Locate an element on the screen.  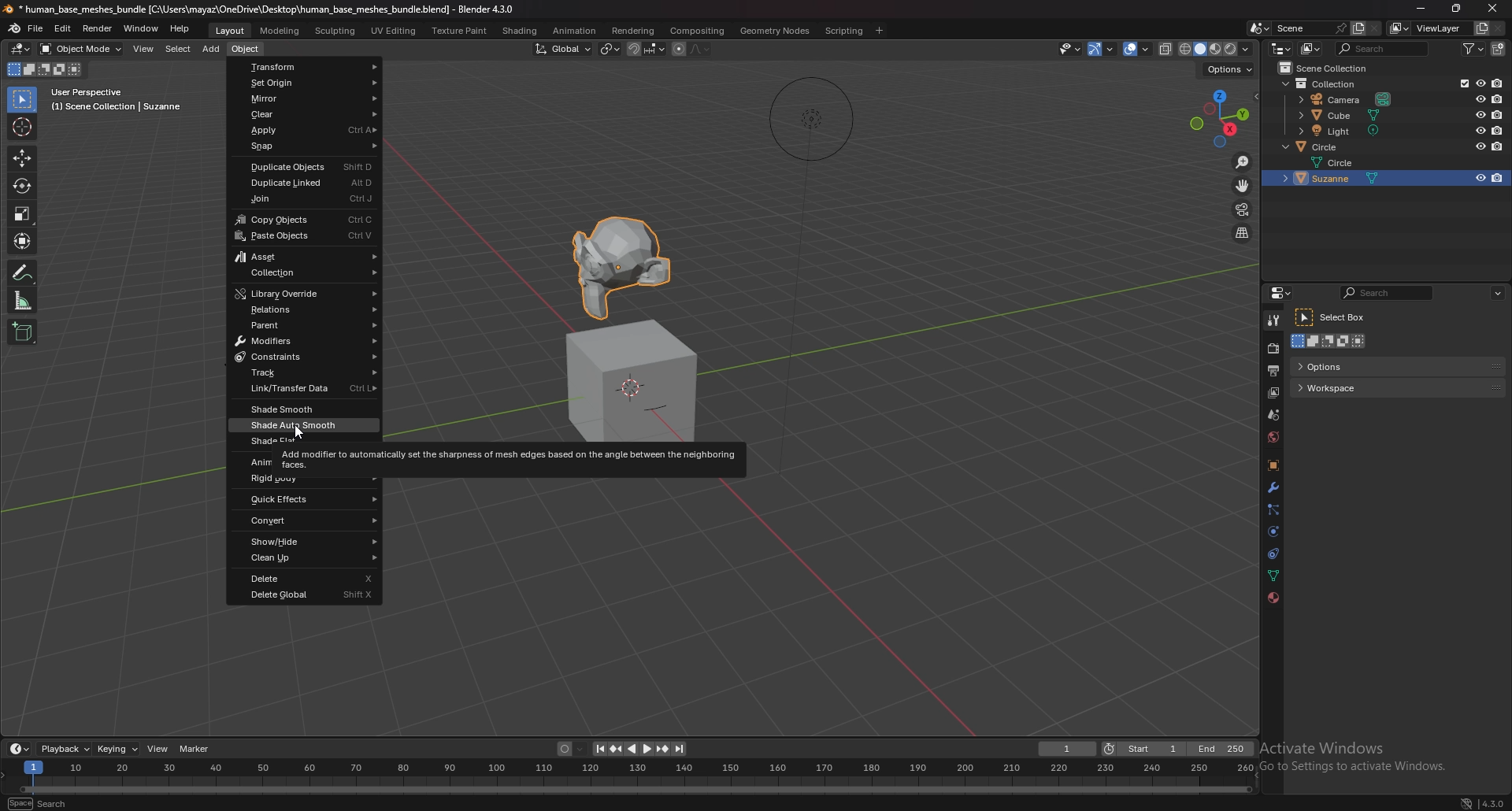
quick effects is located at coordinates (306, 500).